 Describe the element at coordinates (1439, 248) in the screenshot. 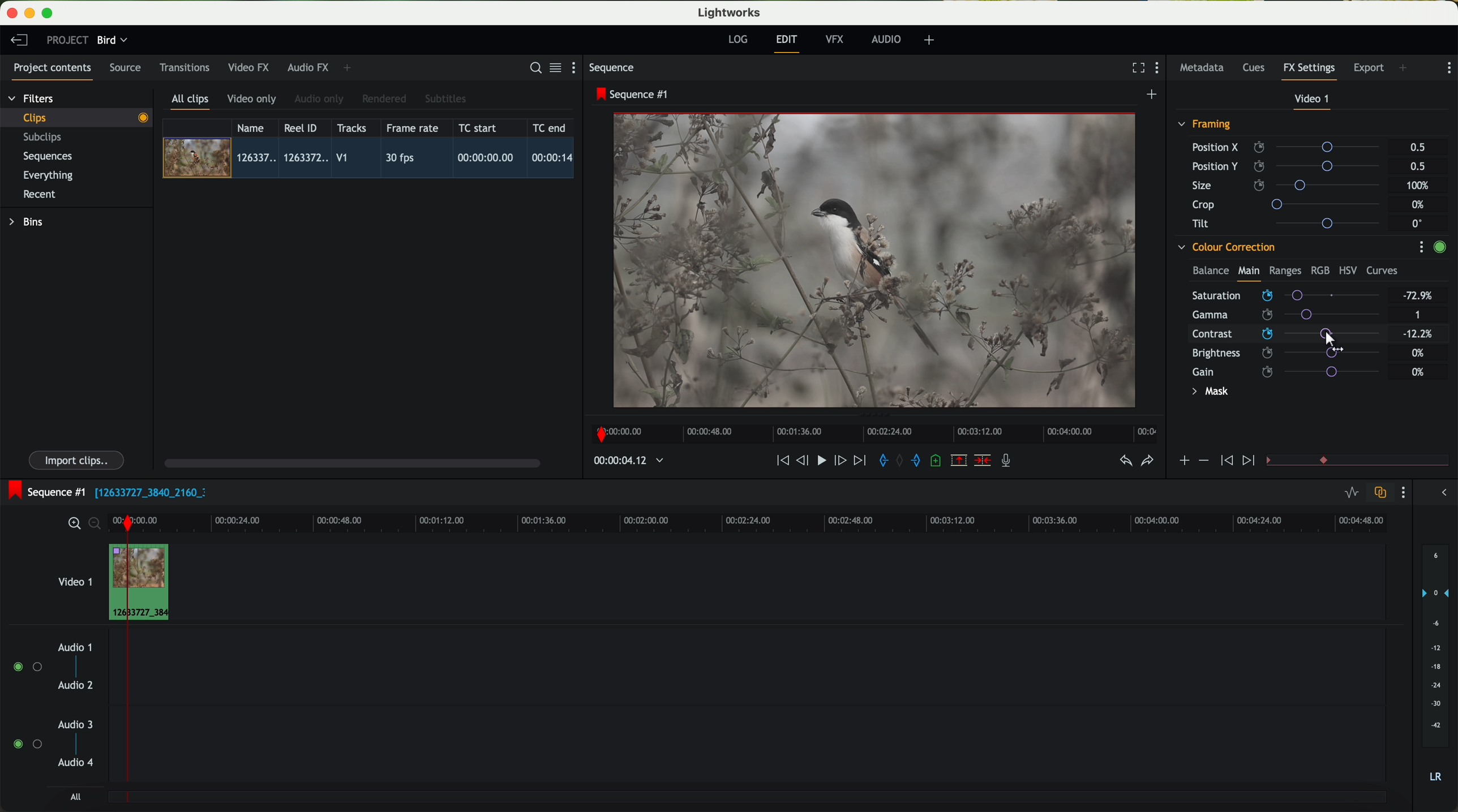

I see `enable` at that location.